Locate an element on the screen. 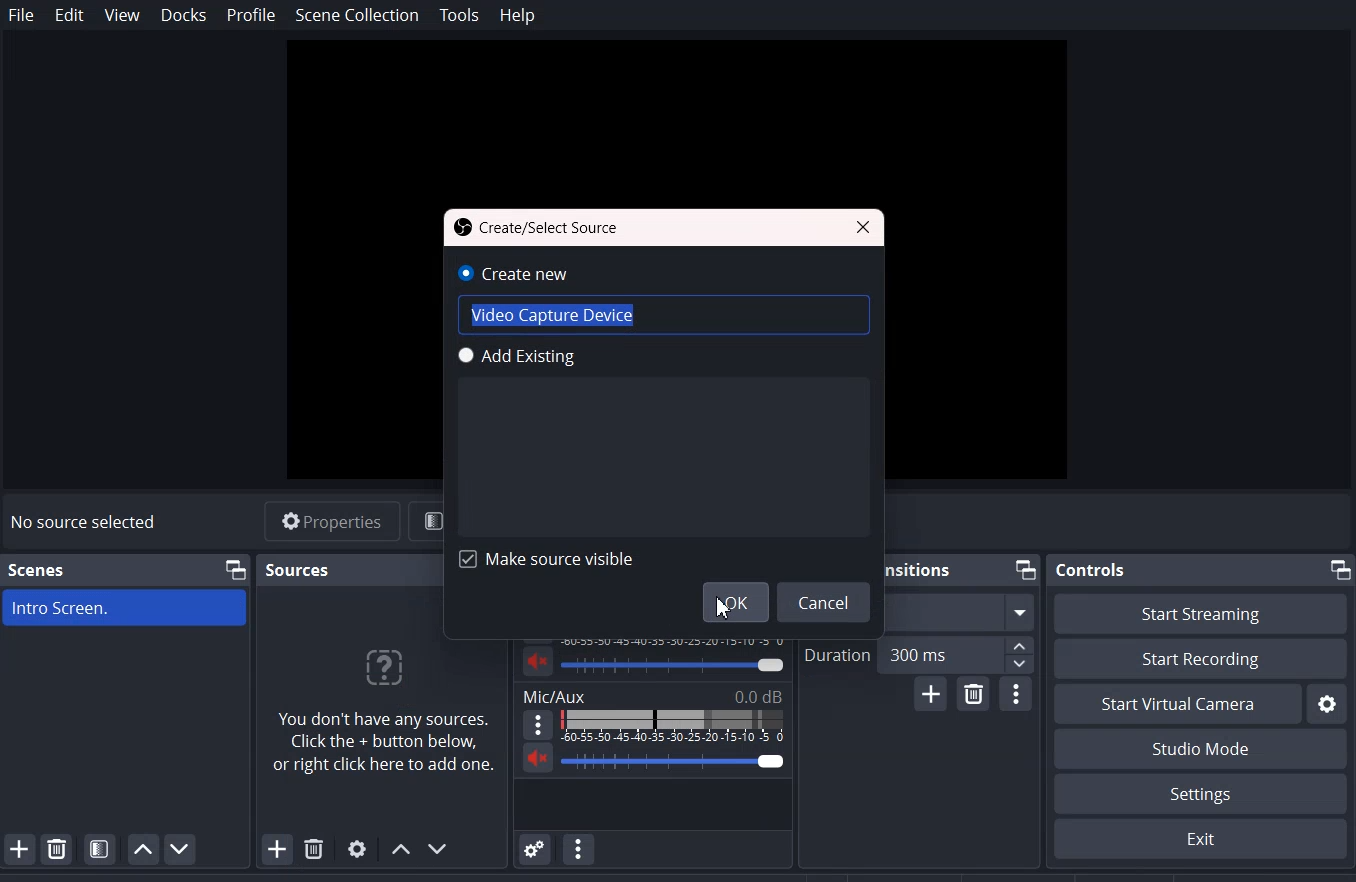 This screenshot has width=1356, height=882. Docks is located at coordinates (184, 14).